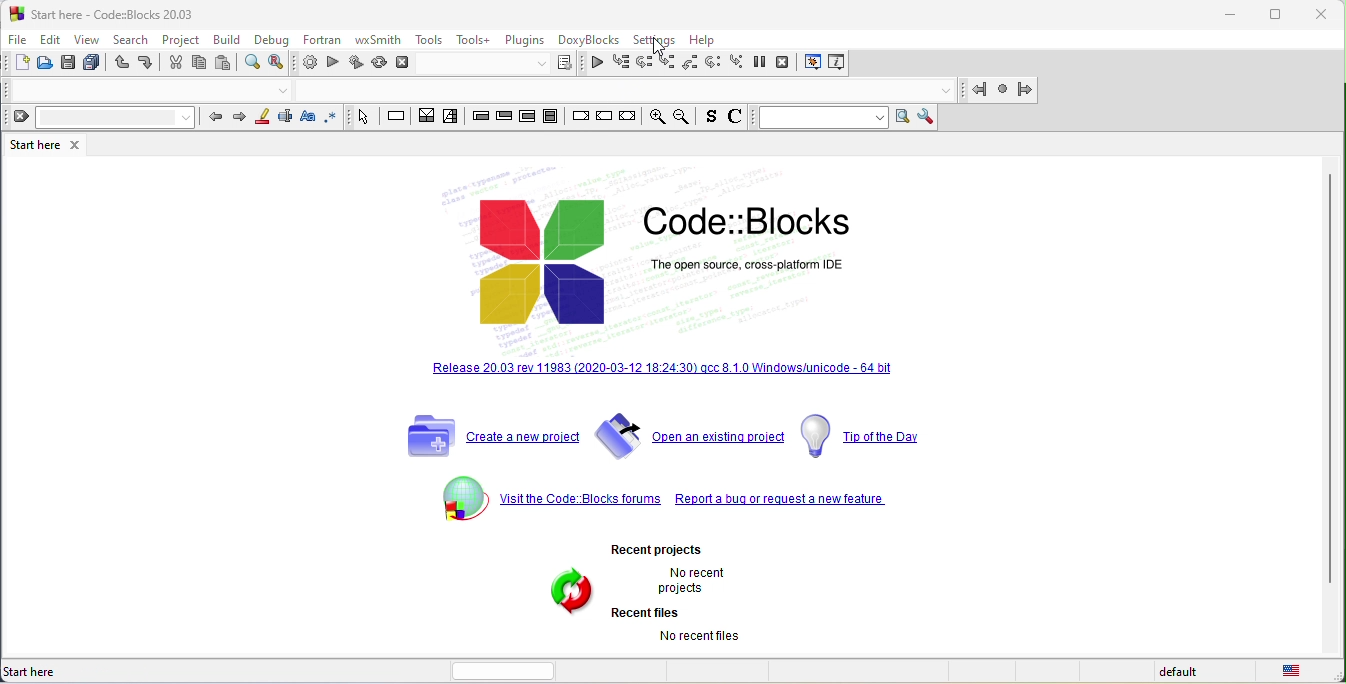  I want to click on open, so click(46, 66).